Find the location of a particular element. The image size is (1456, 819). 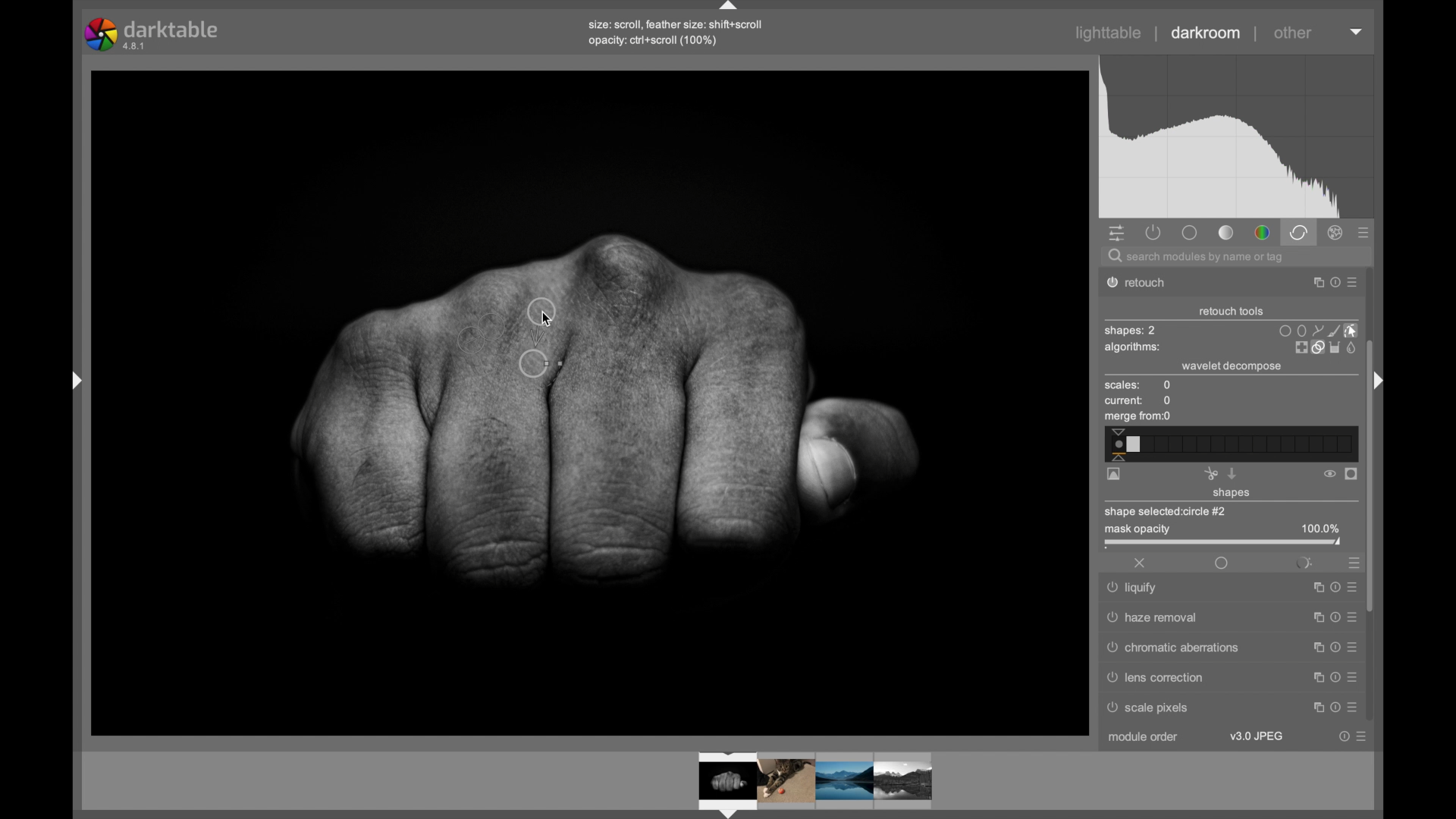

help is located at coordinates (1332, 283).